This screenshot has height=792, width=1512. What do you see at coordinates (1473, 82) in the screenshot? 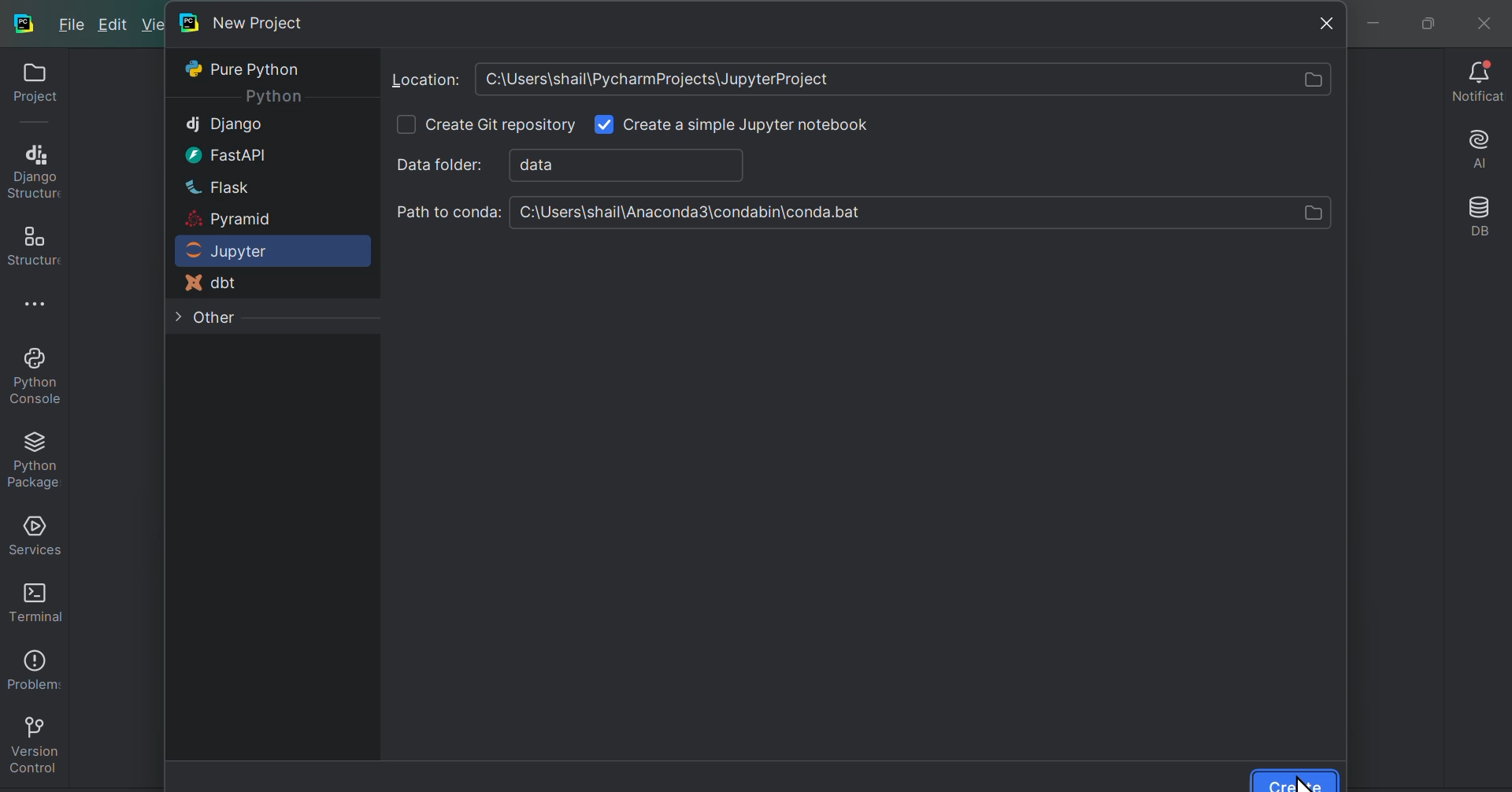
I see `Notifications` at bounding box center [1473, 82].